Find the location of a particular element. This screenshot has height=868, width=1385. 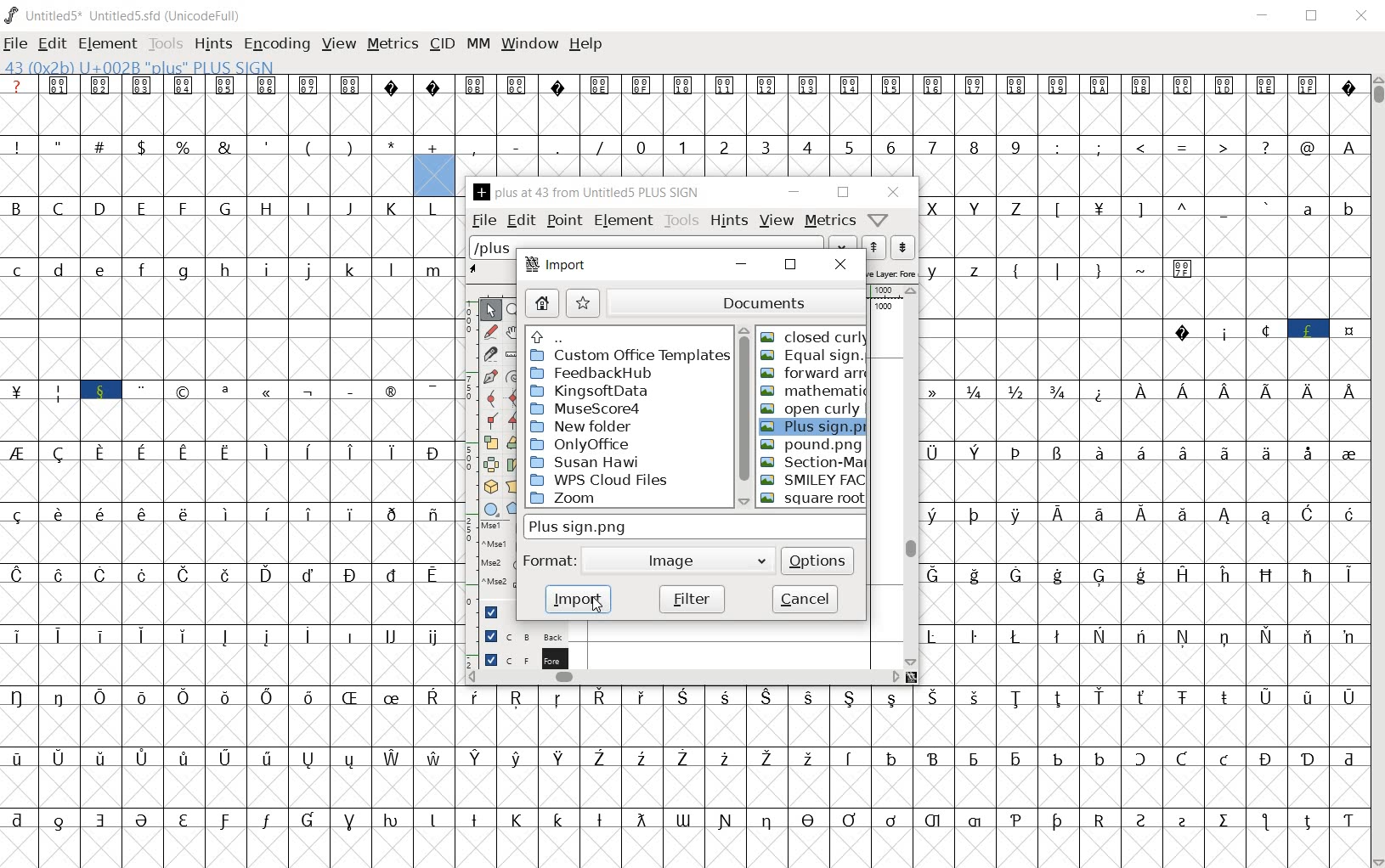

mse1 mse1 mse2 mse2 is located at coordinates (496, 554).